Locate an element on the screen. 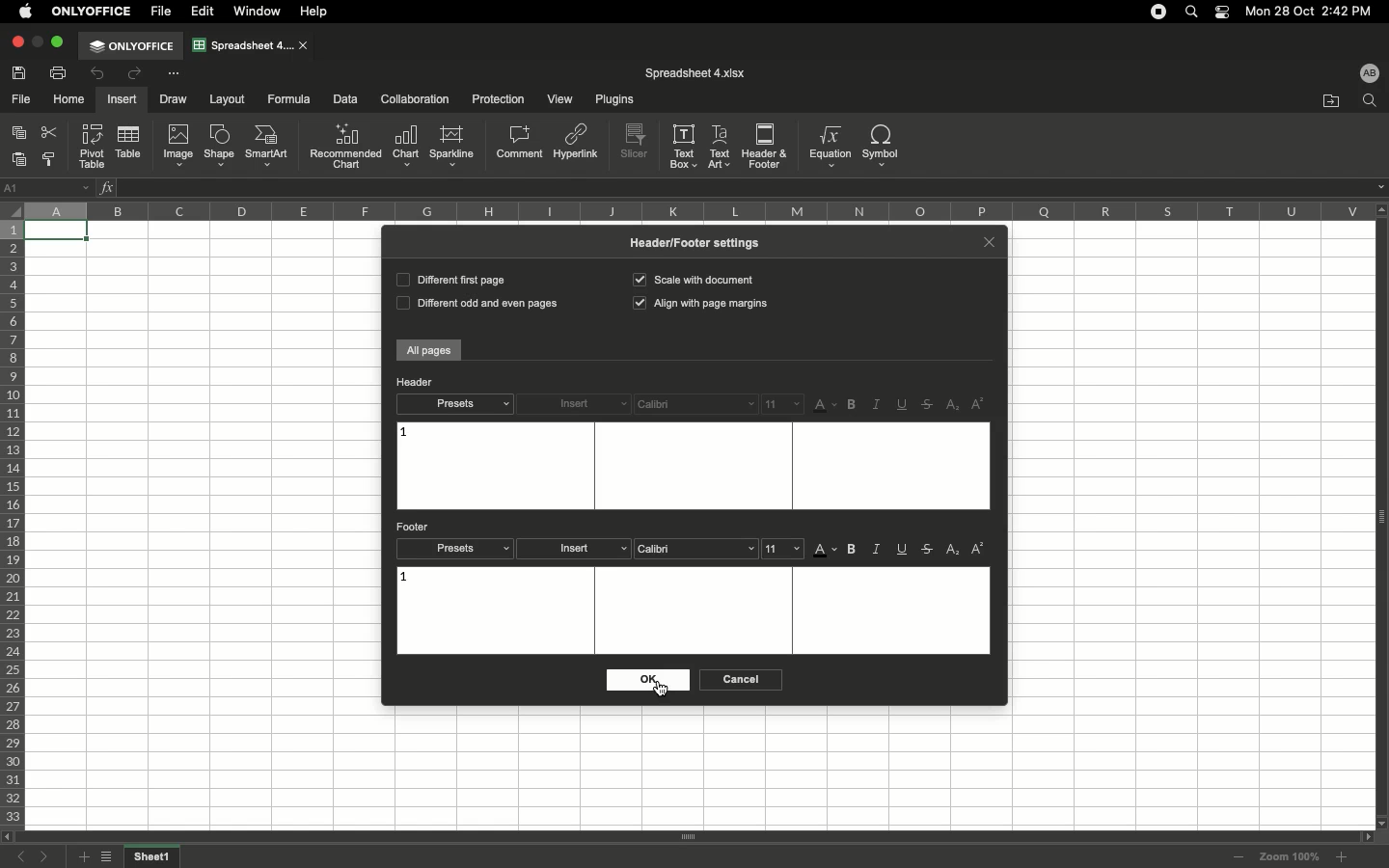  Formula is located at coordinates (286, 98).